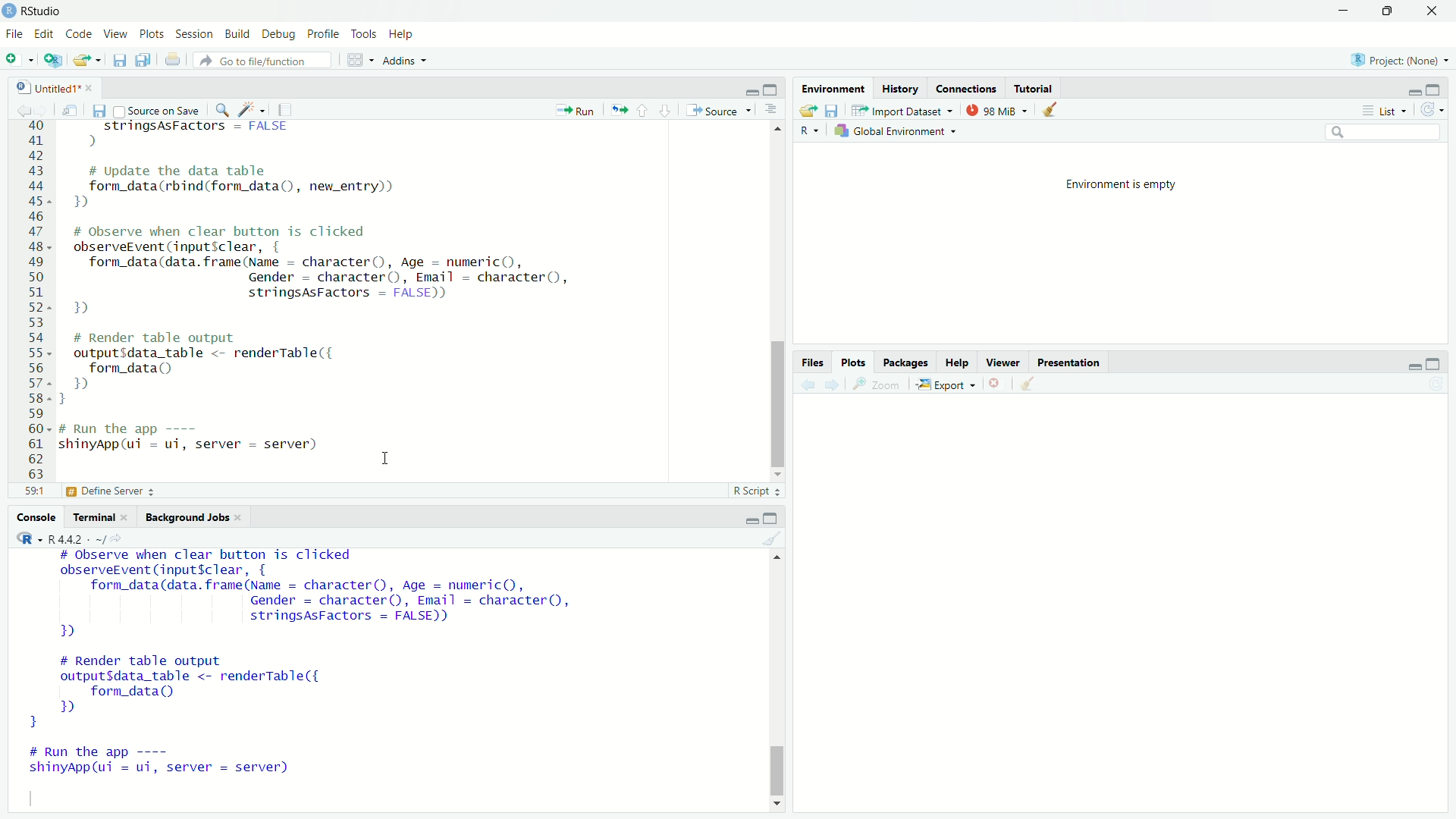  What do you see at coordinates (805, 384) in the screenshot?
I see `previous plot` at bounding box center [805, 384].